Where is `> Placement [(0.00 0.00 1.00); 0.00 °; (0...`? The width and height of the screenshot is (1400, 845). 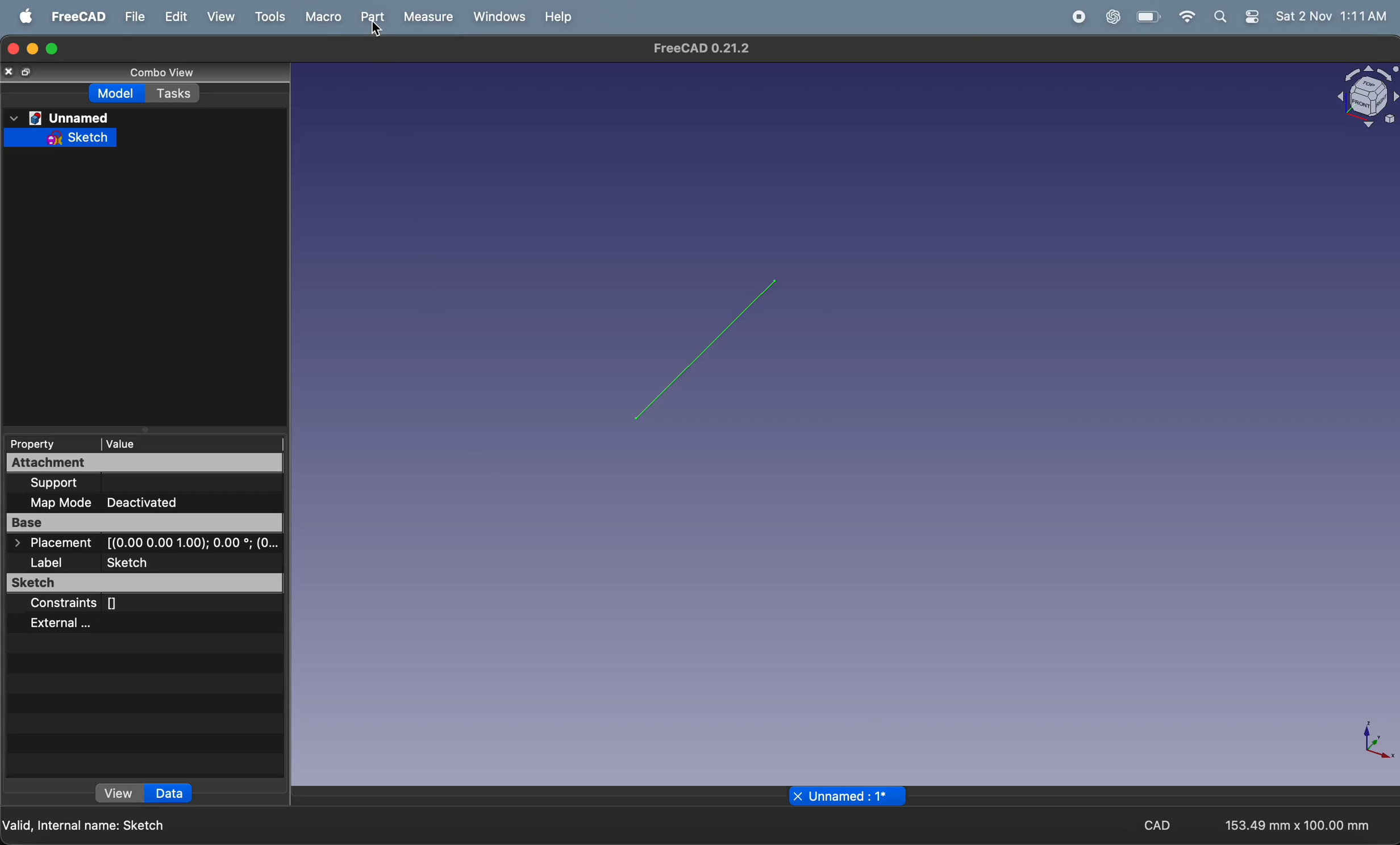 > Placement [(0.00 0.00 1.00); 0.00 °; (0... is located at coordinates (144, 542).